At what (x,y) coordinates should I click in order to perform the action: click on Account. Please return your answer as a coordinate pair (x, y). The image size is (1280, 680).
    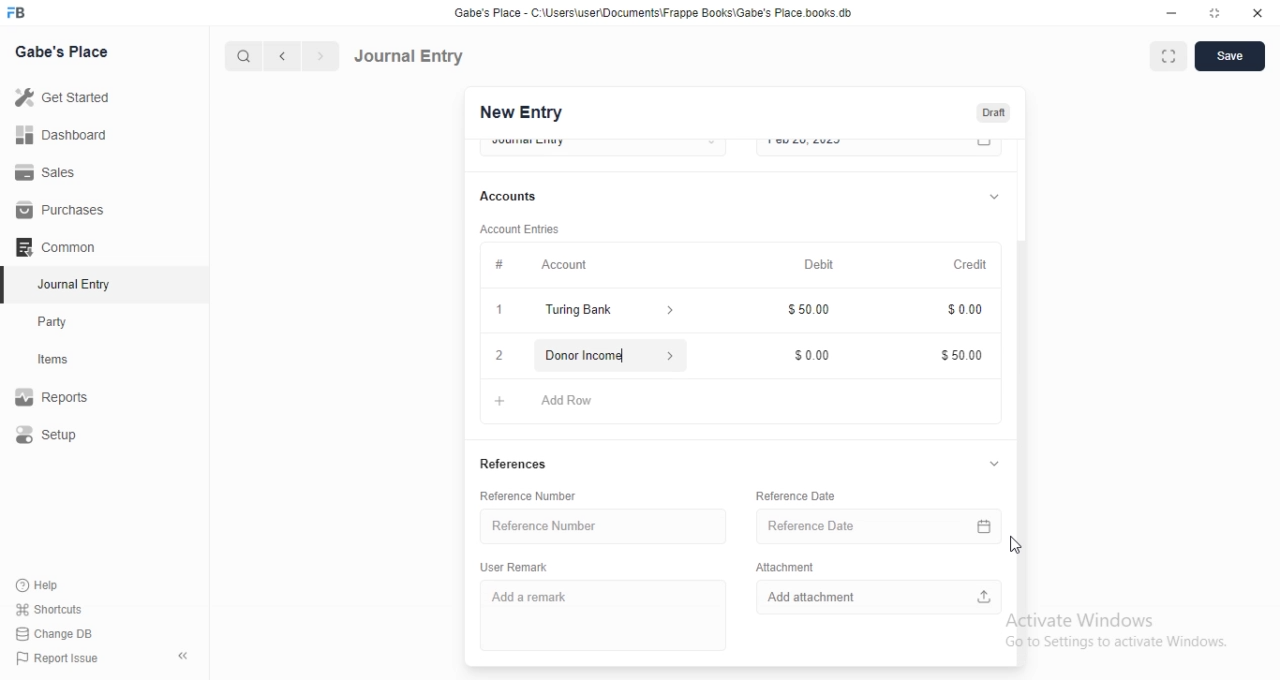
    Looking at the image, I should click on (534, 263).